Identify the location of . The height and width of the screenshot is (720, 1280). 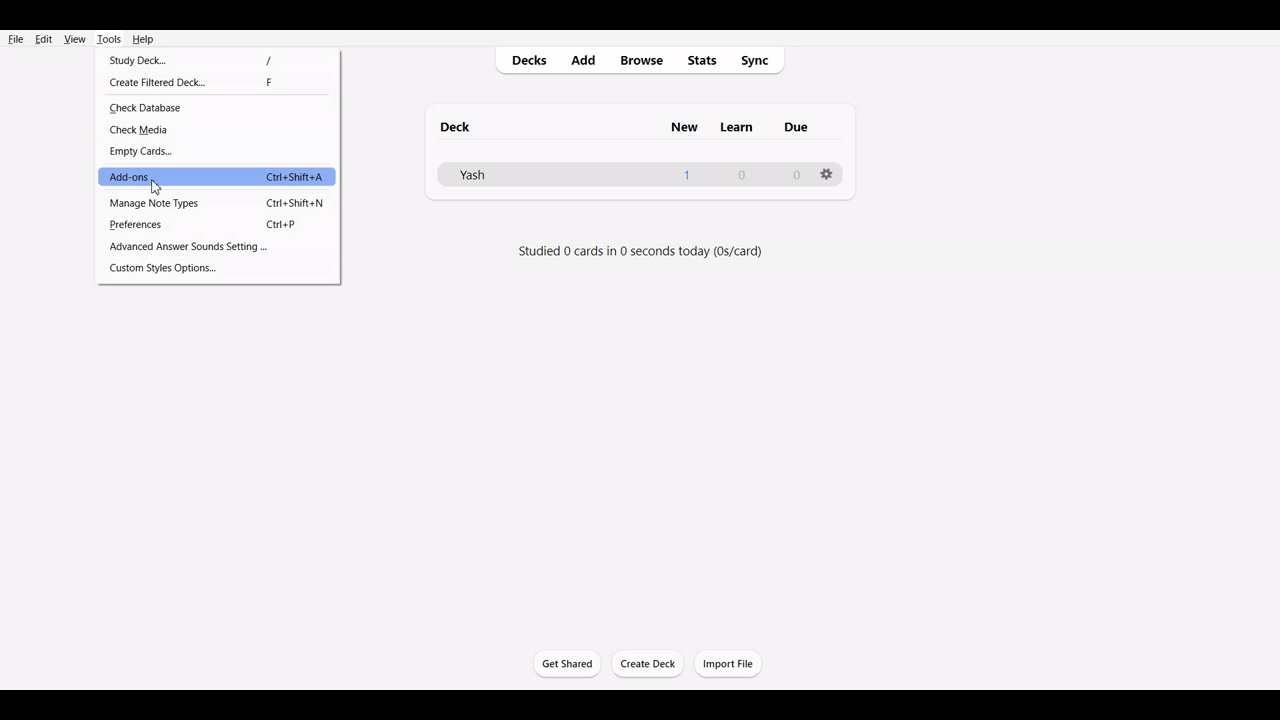
(740, 119).